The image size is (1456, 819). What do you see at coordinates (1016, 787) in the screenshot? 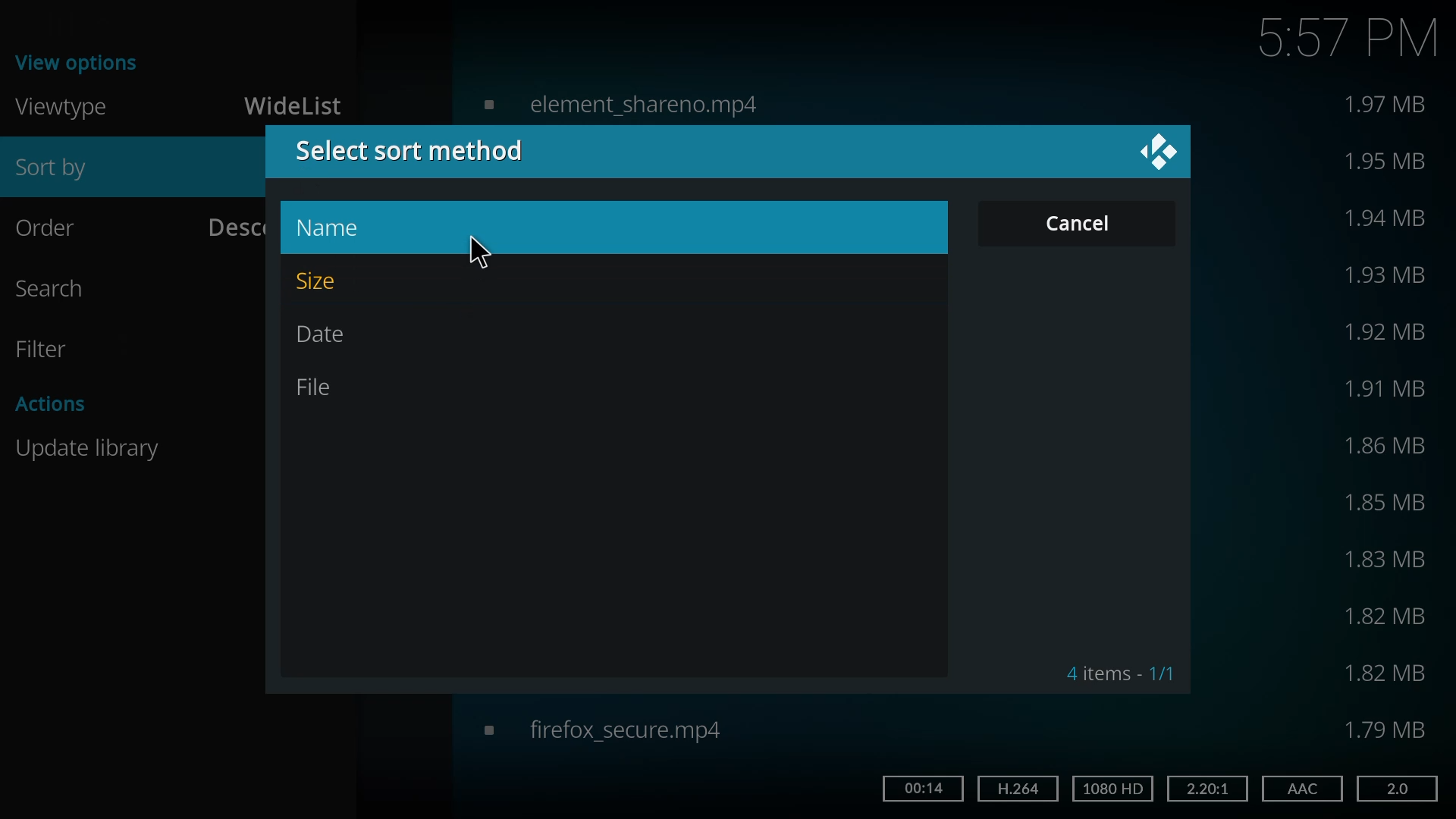
I see `h` at bounding box center [1016, 787].